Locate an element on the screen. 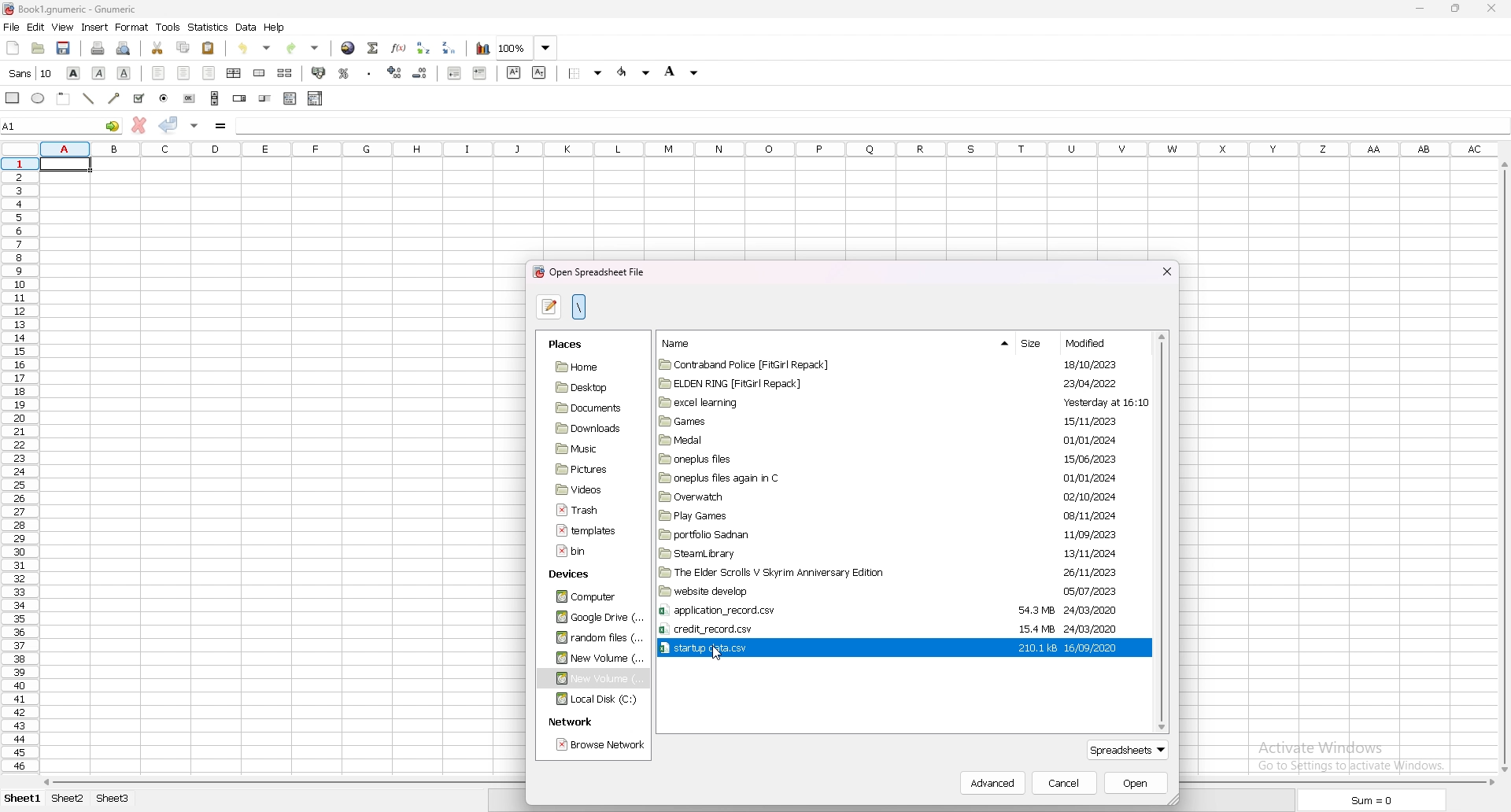 The width and height of the screenshot is (1511, 812). folder is located at coordinates (822, 498).